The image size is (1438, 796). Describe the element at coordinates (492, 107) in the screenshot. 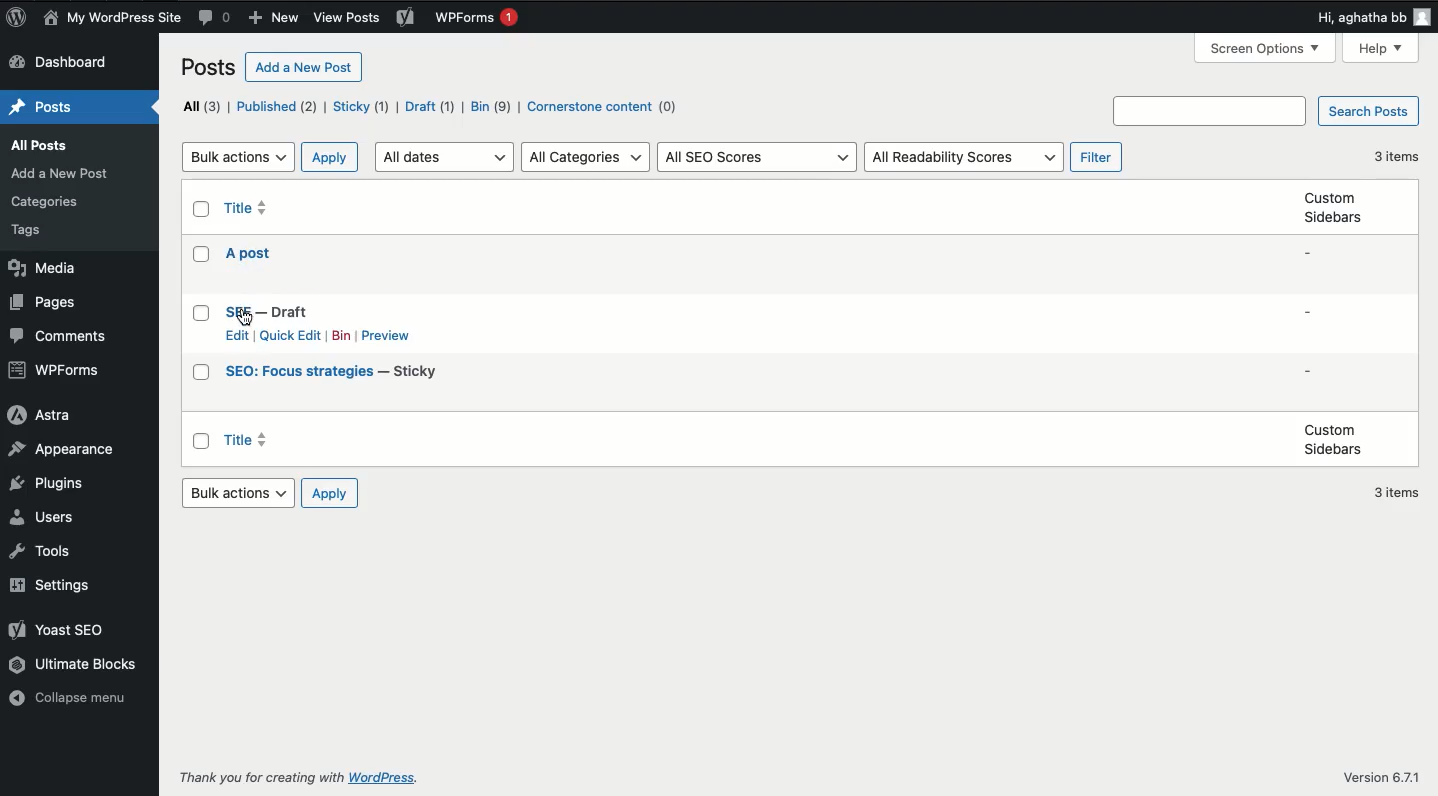

I see `Bin` at that location.